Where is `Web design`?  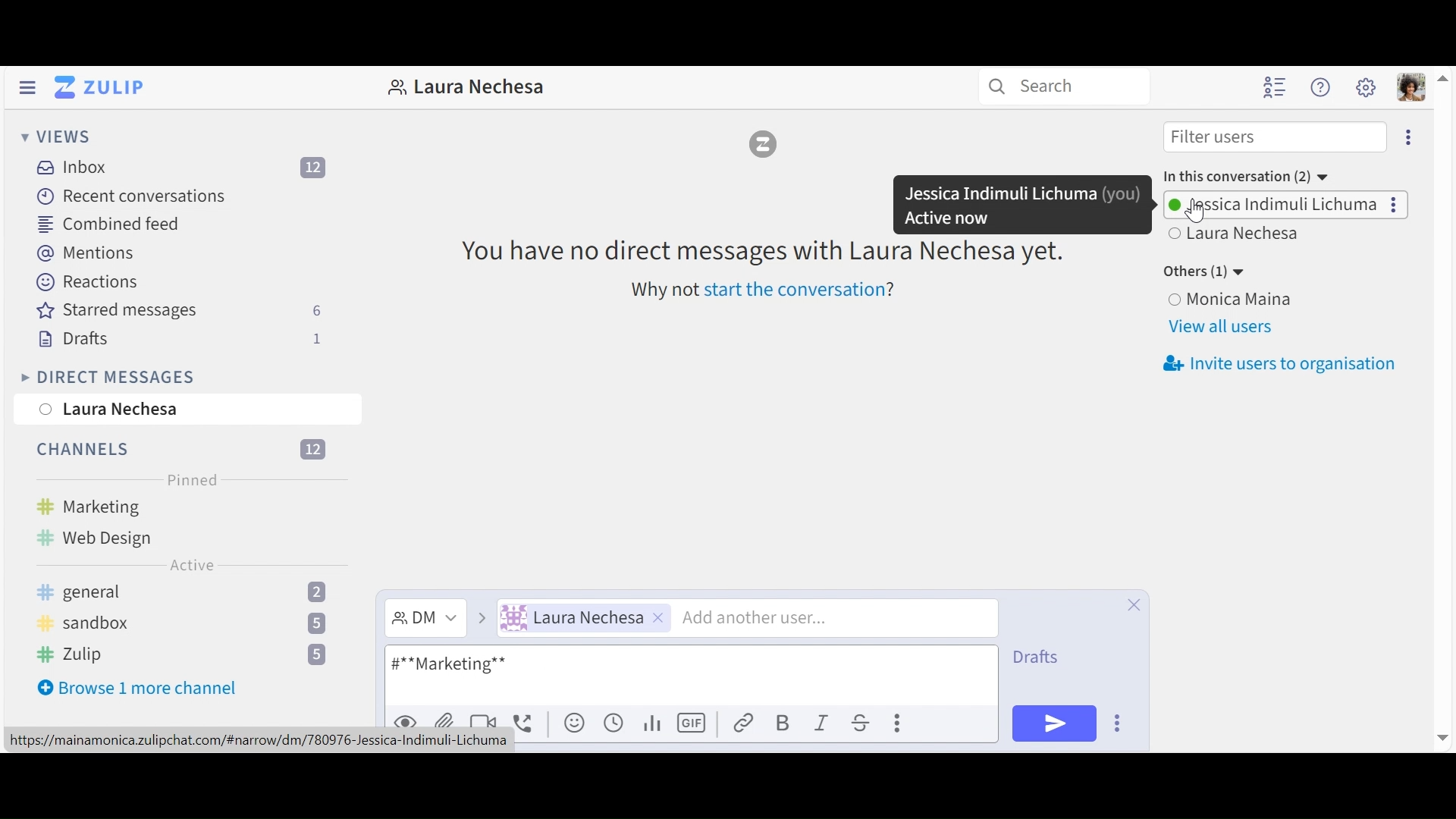 Web design is located at coordinates (93, 535).